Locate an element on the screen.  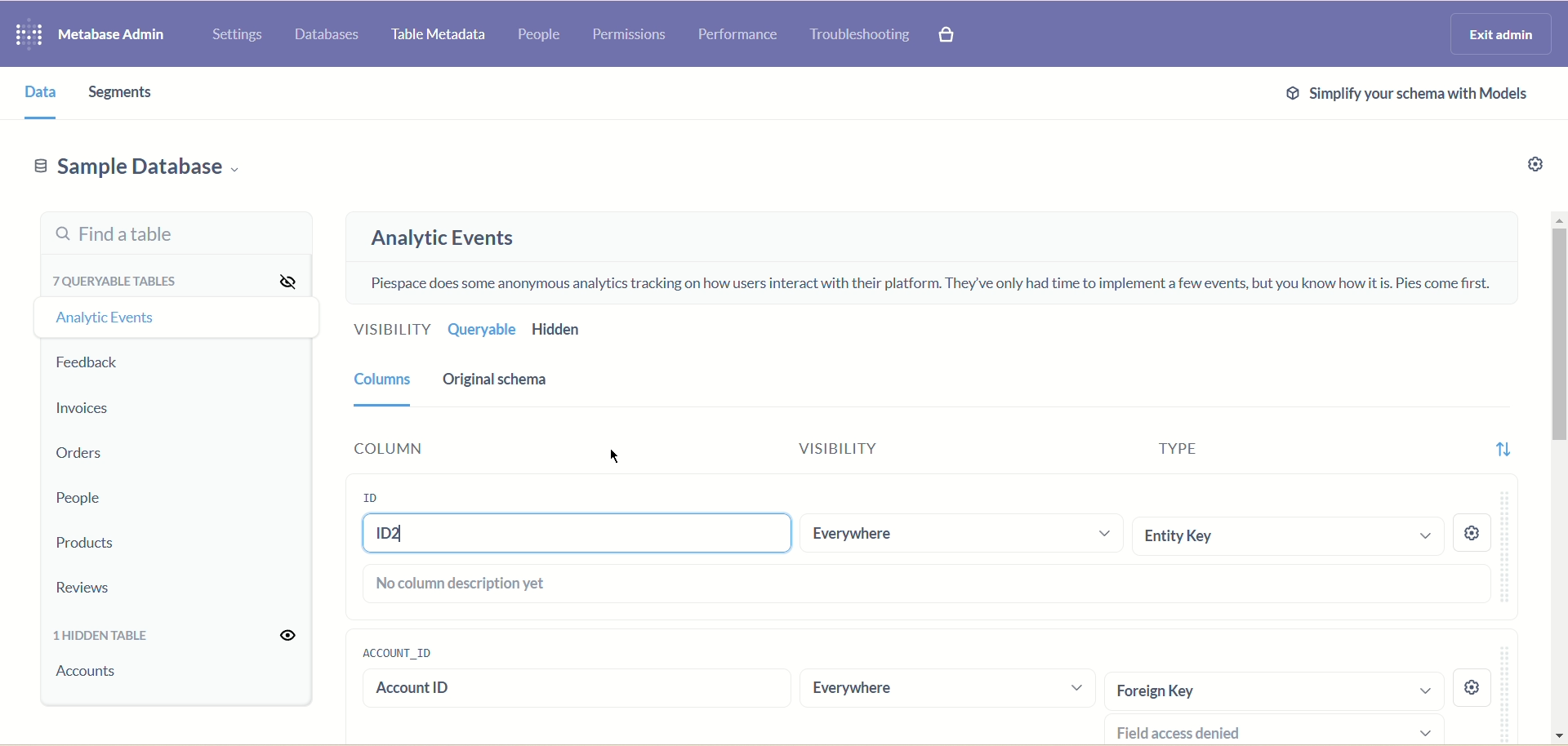
Analytic events is located at coordinates (459, 234).